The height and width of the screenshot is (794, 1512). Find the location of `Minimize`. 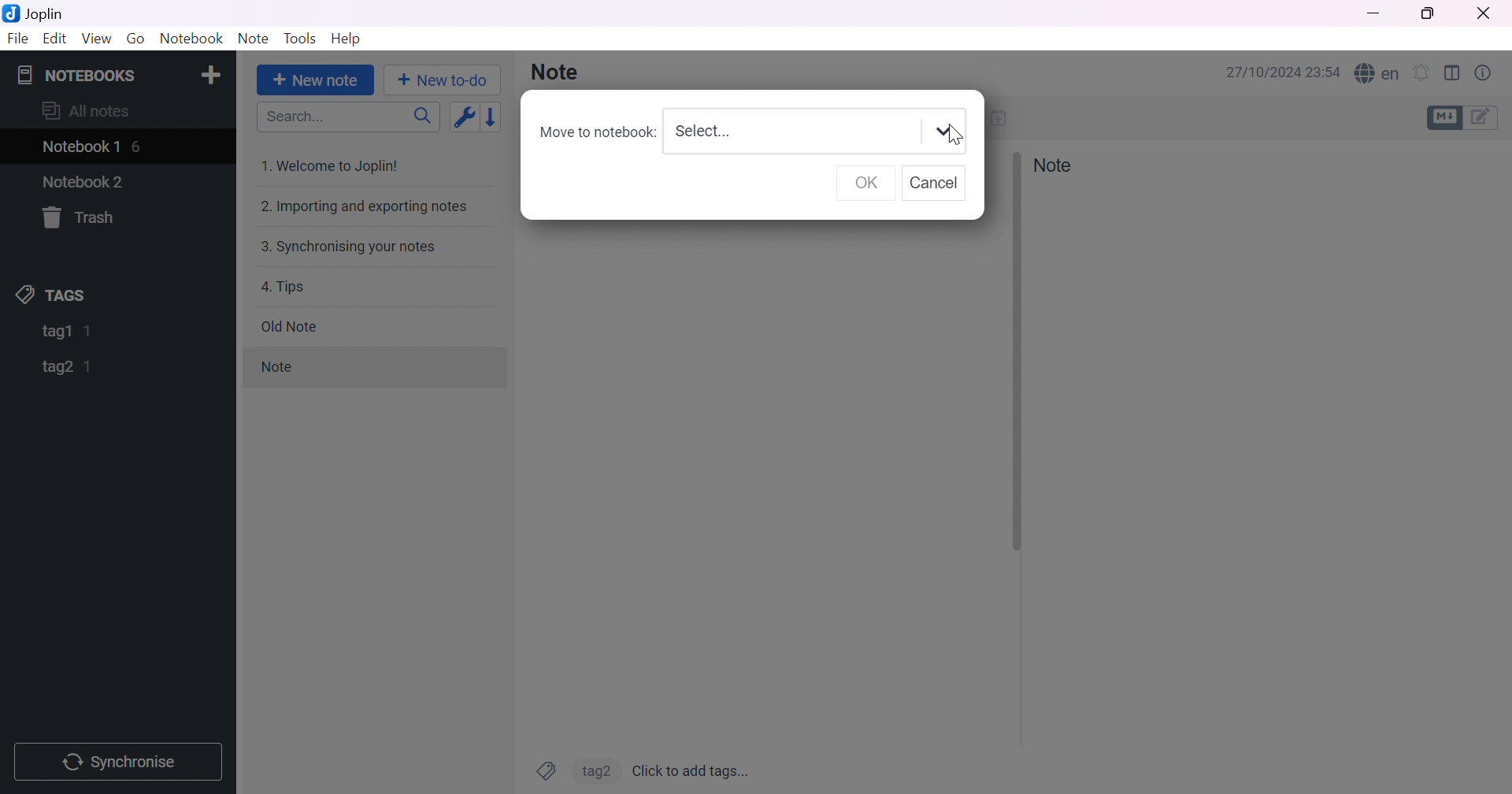

Minimize is located at coordinates (1373, 13).